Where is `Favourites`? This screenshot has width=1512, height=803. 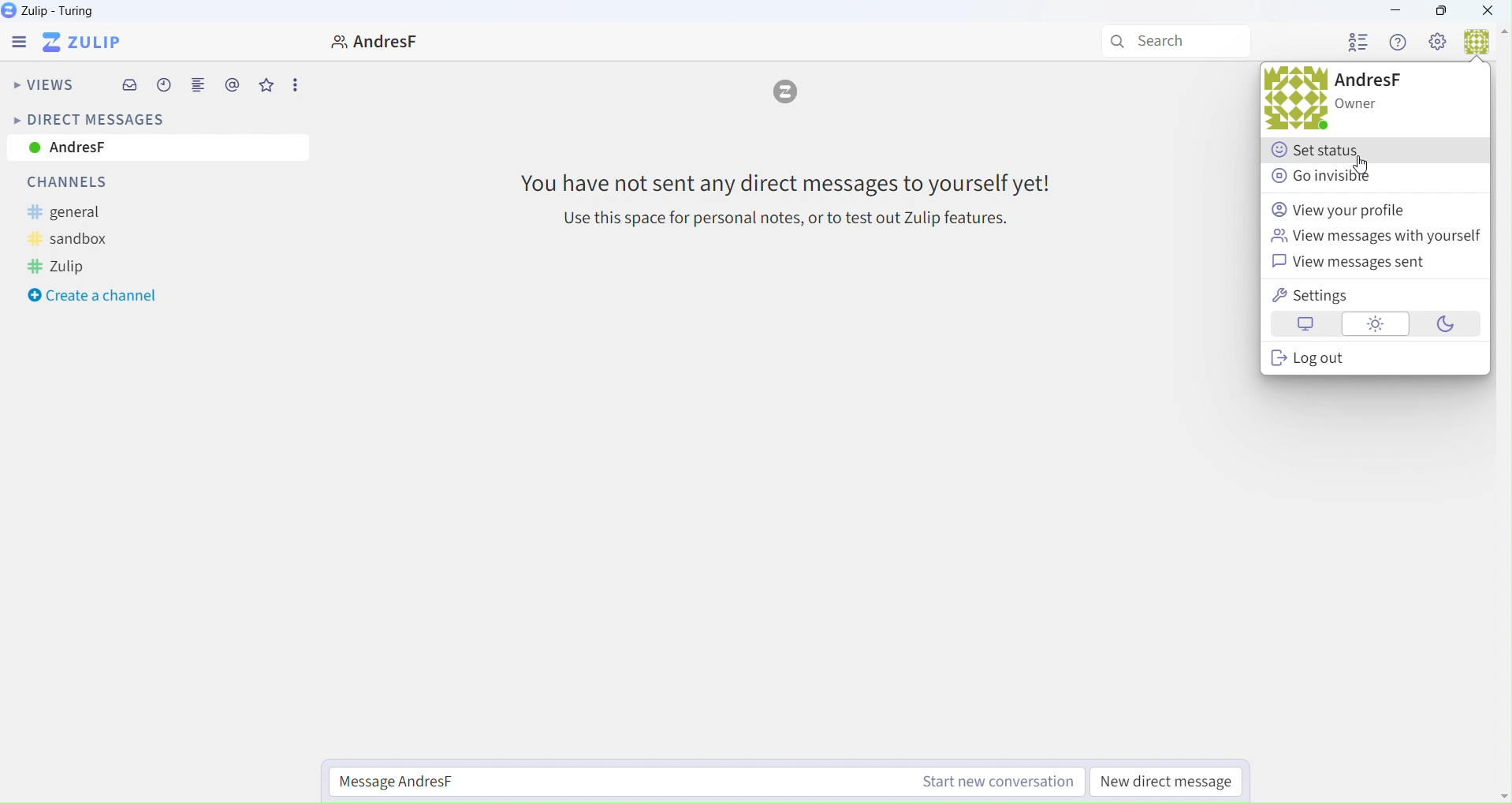 Favourites is located at coordinates (266, 86).